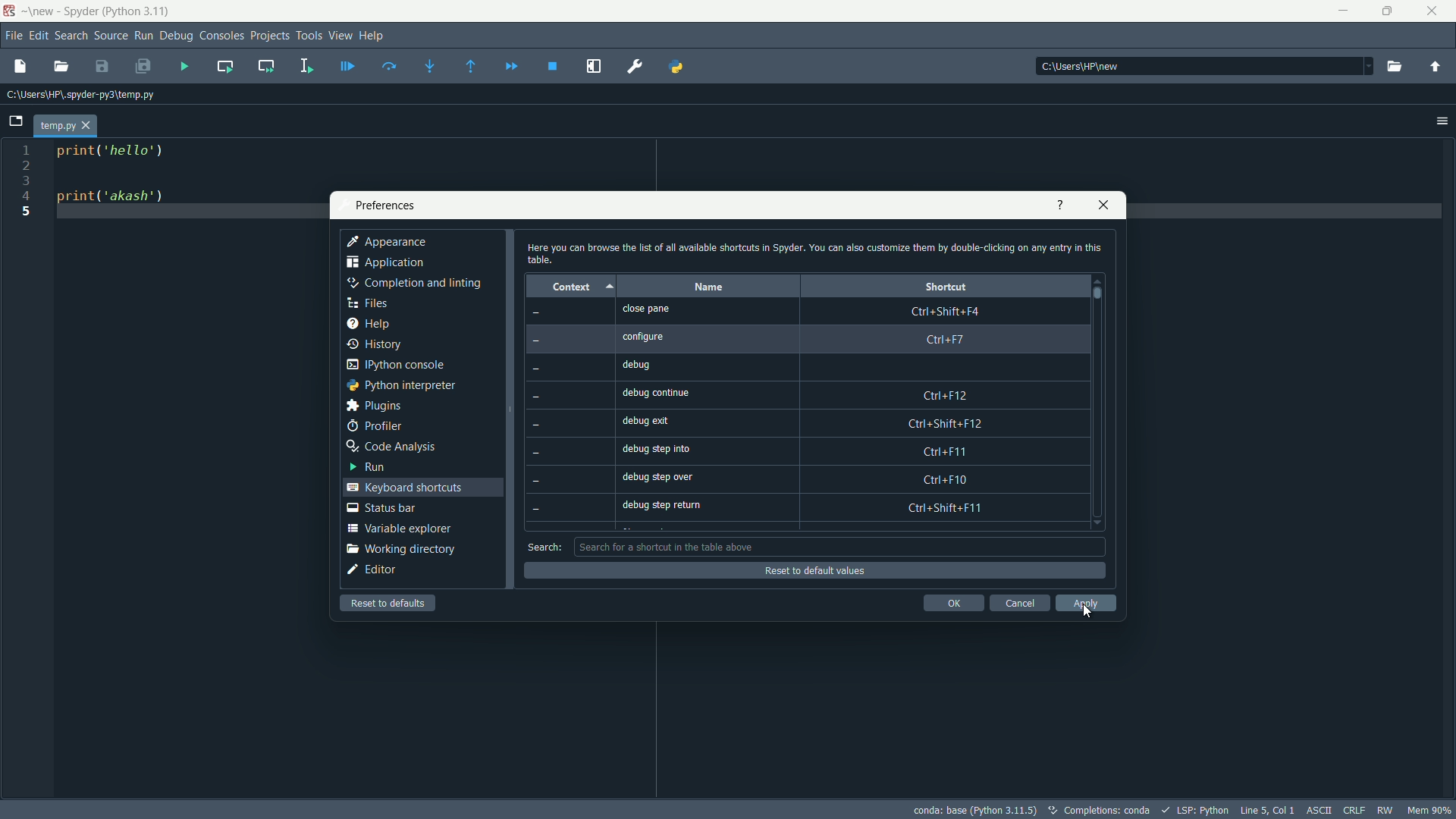  I want to click on step into function, so click(431, 67).